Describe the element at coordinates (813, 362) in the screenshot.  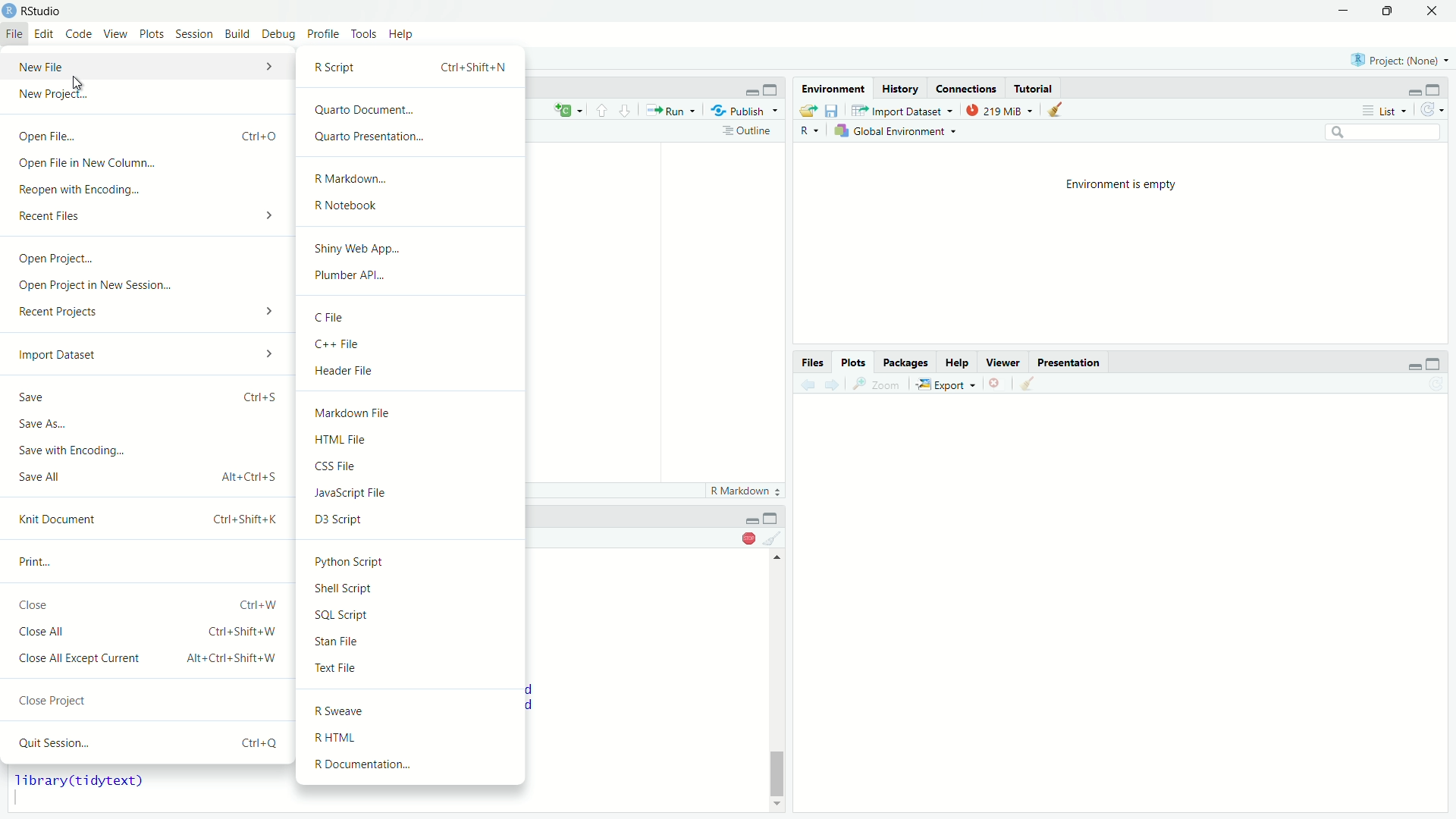
I see `files` at that location.